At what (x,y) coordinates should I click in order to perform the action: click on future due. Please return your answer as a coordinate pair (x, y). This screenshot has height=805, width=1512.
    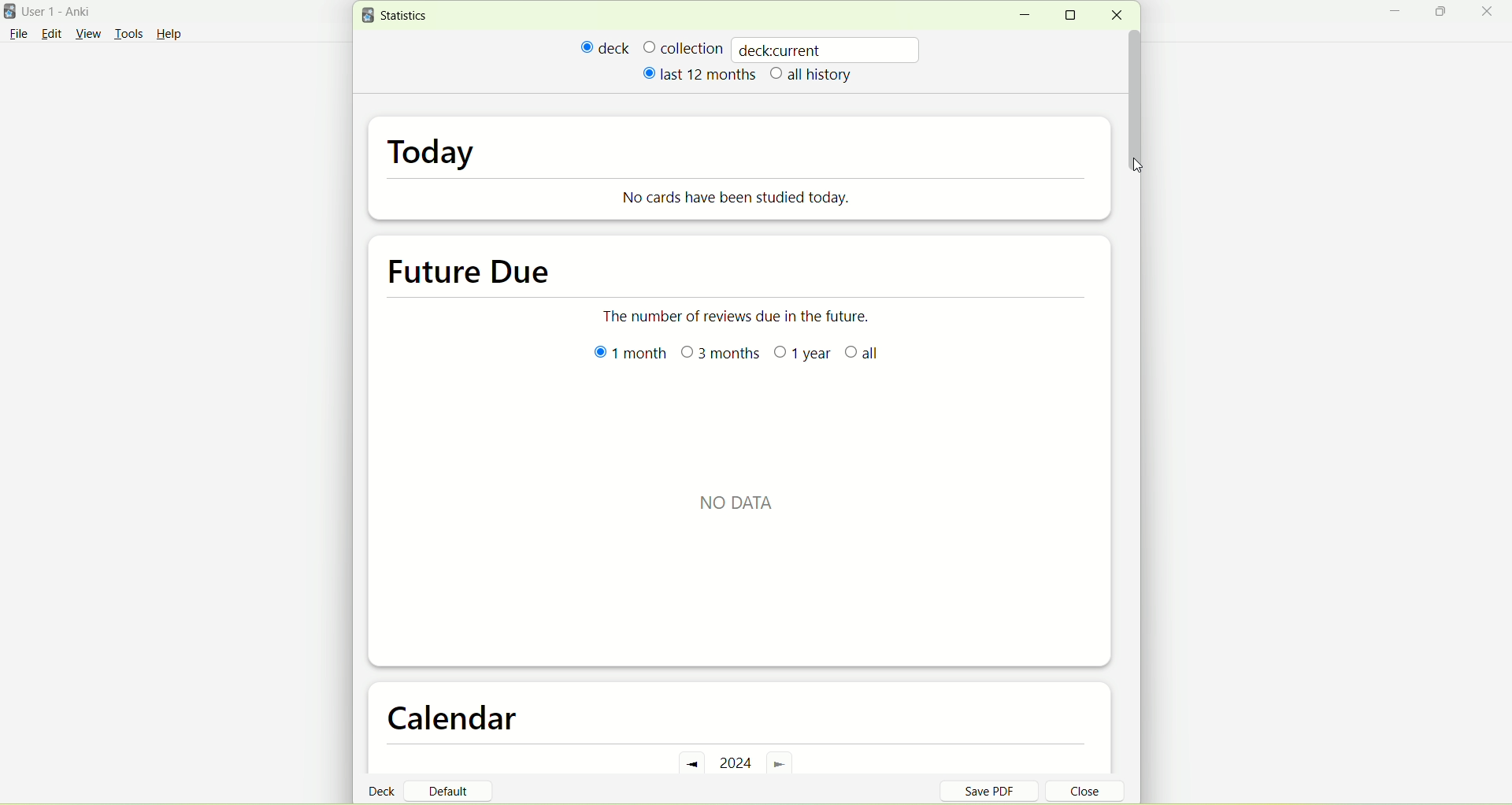
    Looking at the image, I should click on (473, 269).